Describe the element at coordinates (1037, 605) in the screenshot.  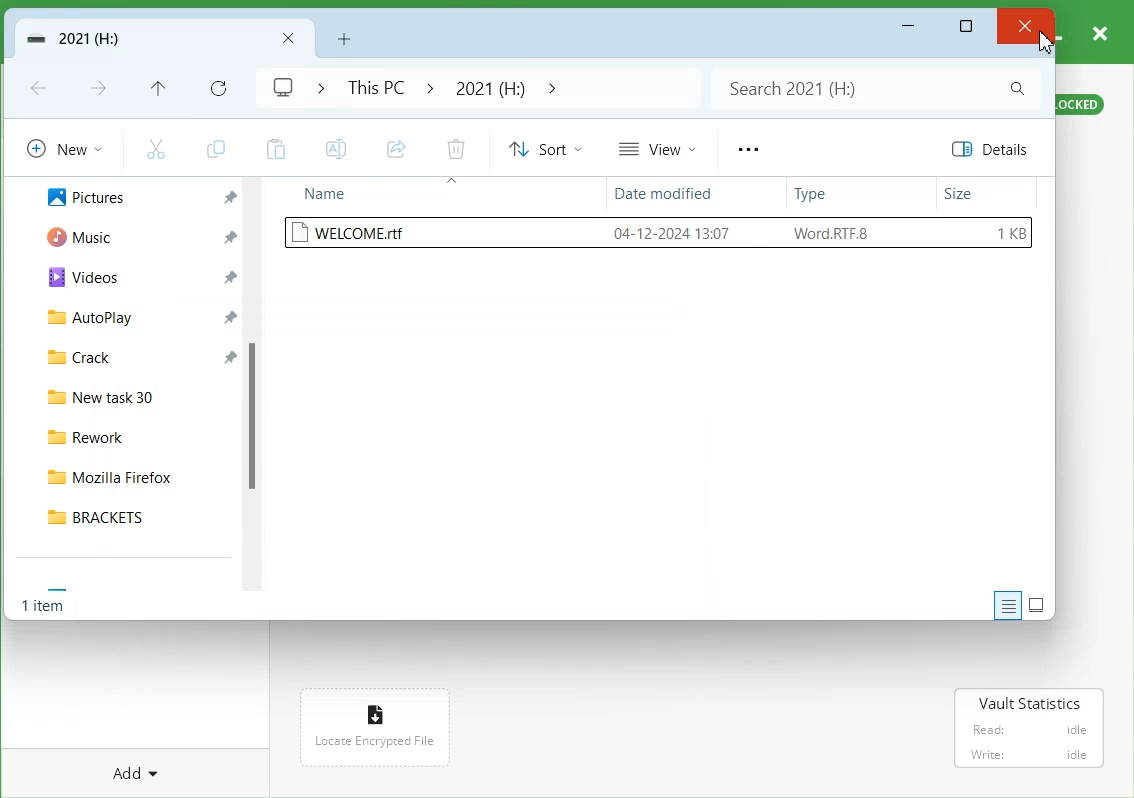
I see `Display item by using large thumbnail` at that location.